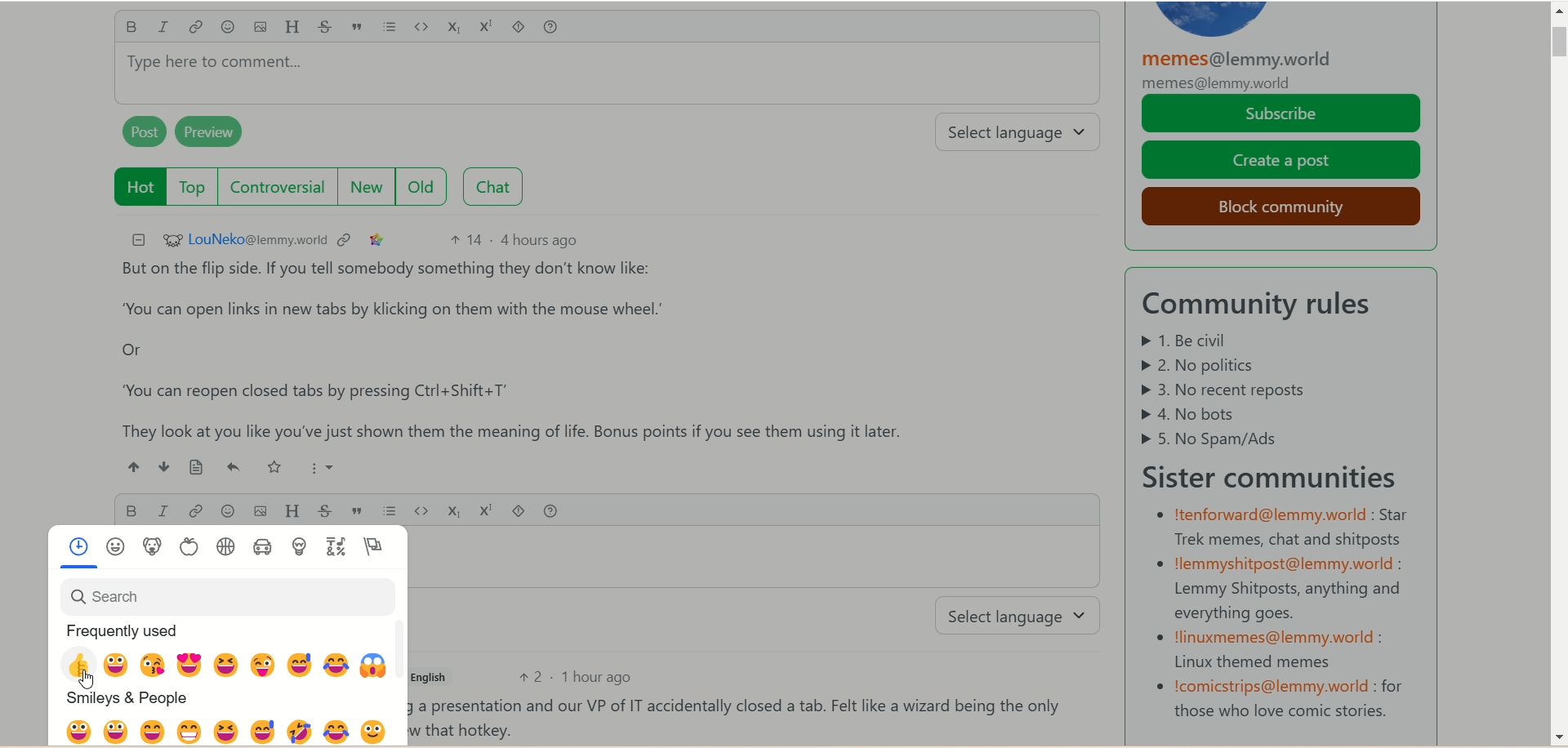 The image size is (1568, 748). Describe the element at coordinates (541, 239) in the screenshot. I see `4 hours ago (post date)` at that location.